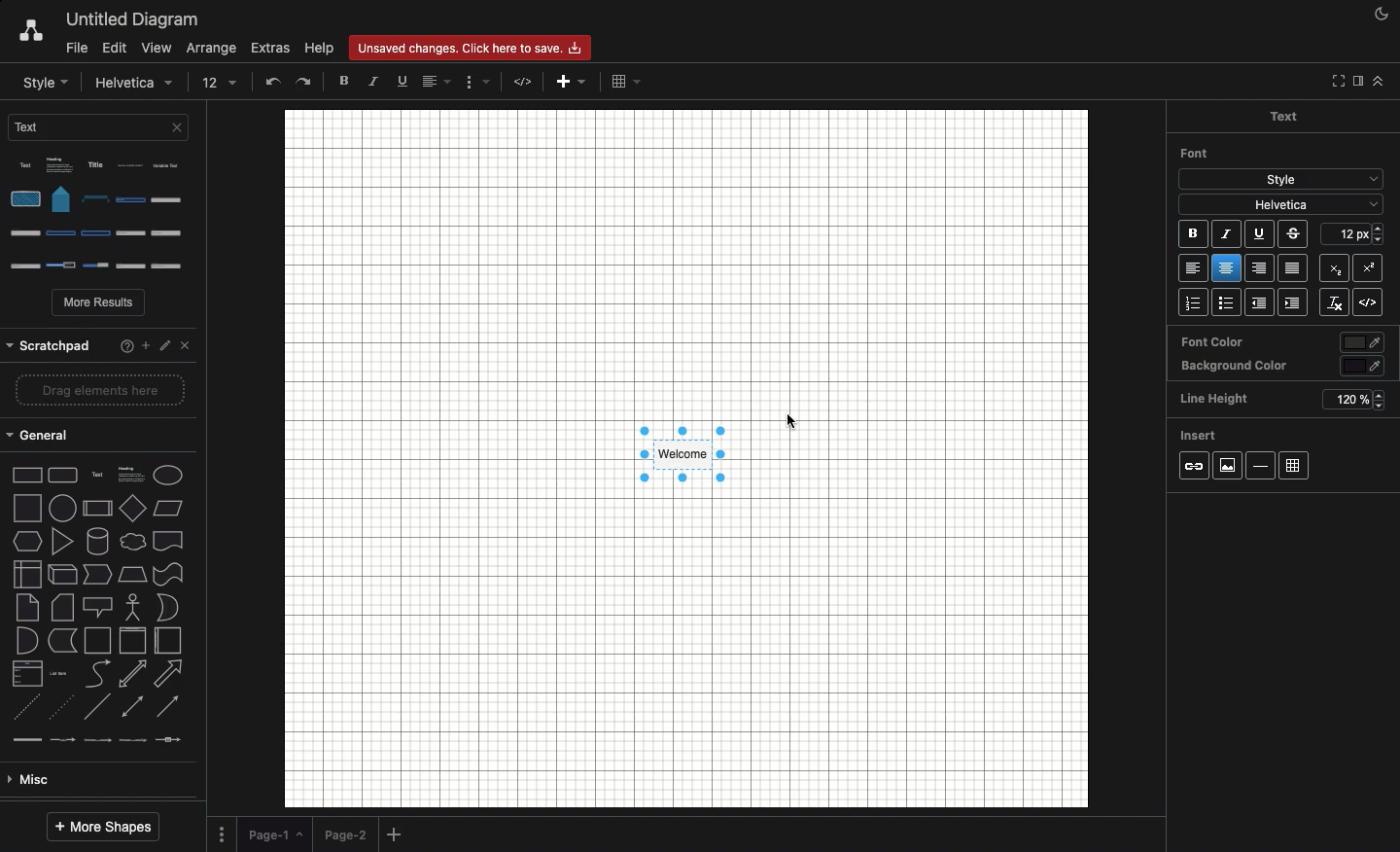 This screenshot has width=1400, height=852. I want to click on File, so click(74, 49).